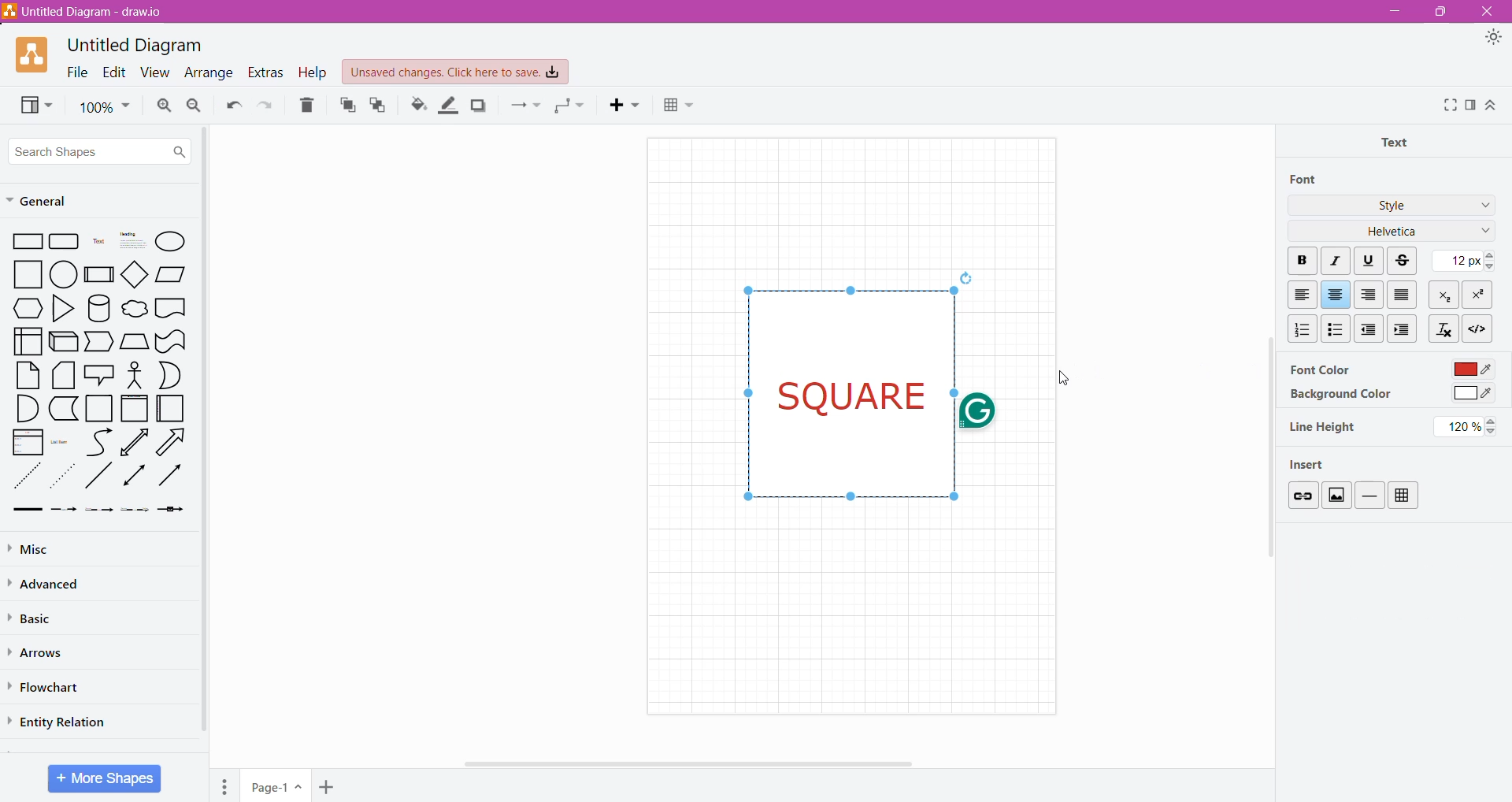 Image resolution: width=1512 pixels, height=802 pixels. Describe the element at coordinates (1493, 38) in the screenshot. I see `Appearance` at that location.